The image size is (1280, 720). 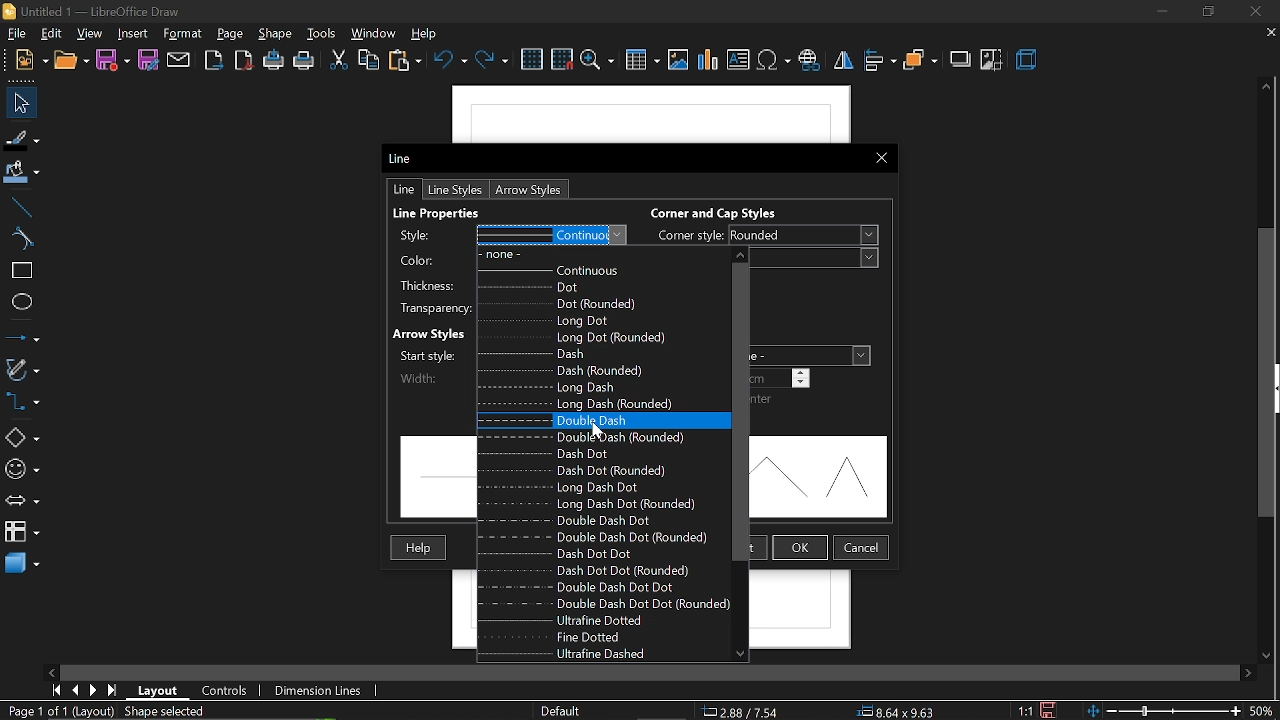 I want to click on save, so click(x=1052, y=709).